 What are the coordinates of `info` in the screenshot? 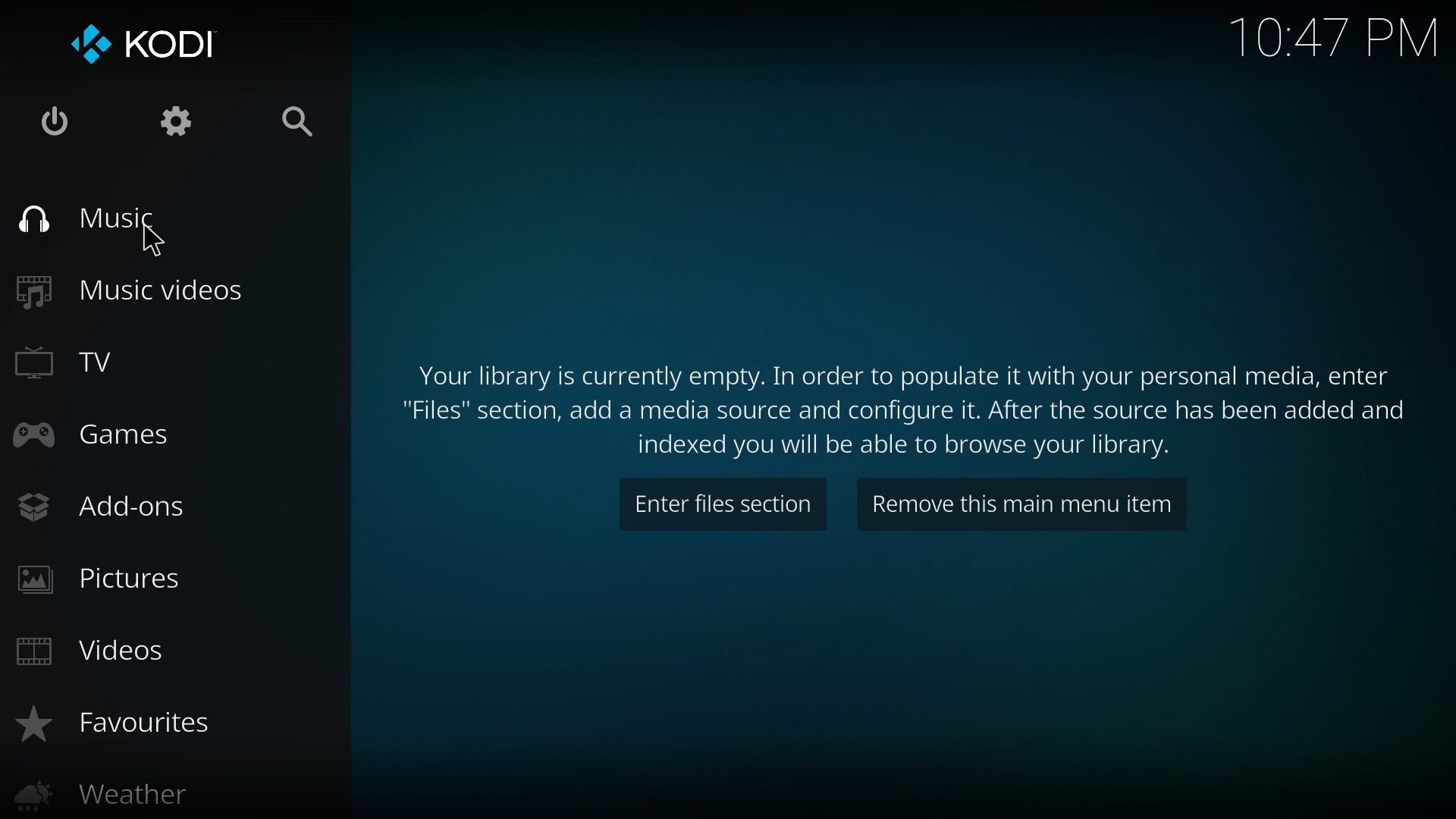 It's located at (907, 398).